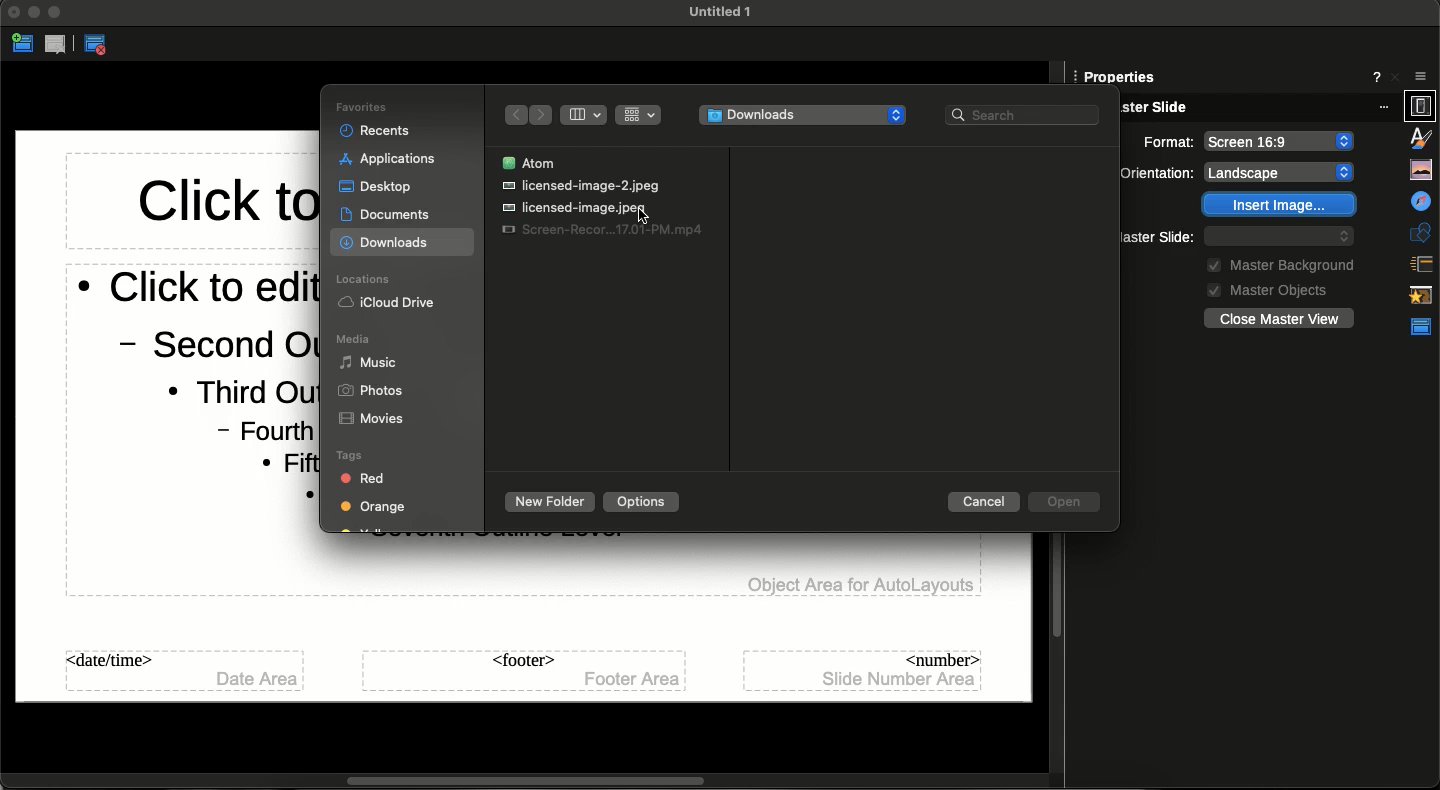 The image size is (1440, 790). Describe the element at coordinates (1276, 263) in the screenshot. I see `Master background` at that location.